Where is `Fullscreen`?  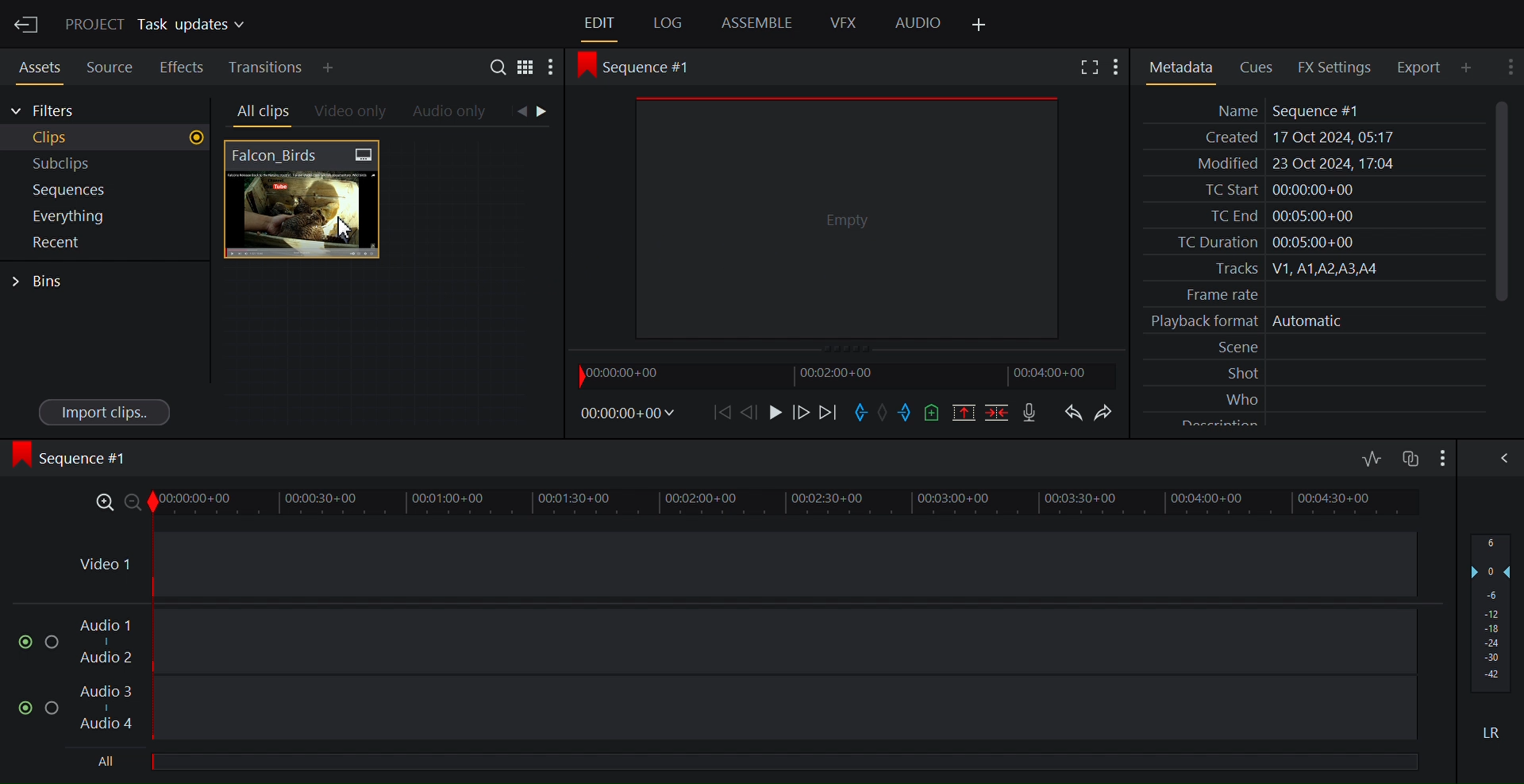 Fullscreen is located at coordinates (1089, 67).